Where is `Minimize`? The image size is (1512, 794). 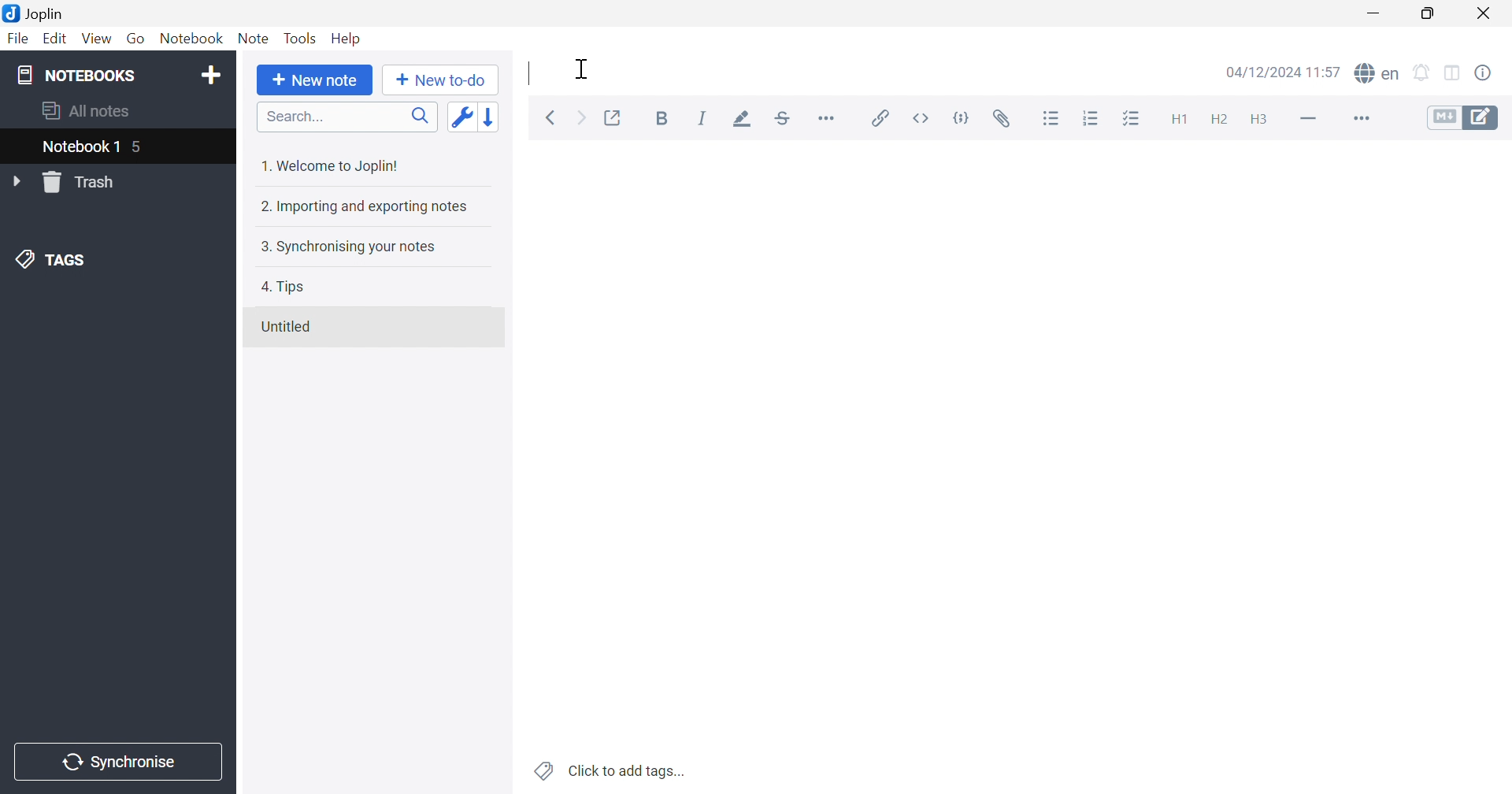 Minimize is located at coordinates (1374, 13).